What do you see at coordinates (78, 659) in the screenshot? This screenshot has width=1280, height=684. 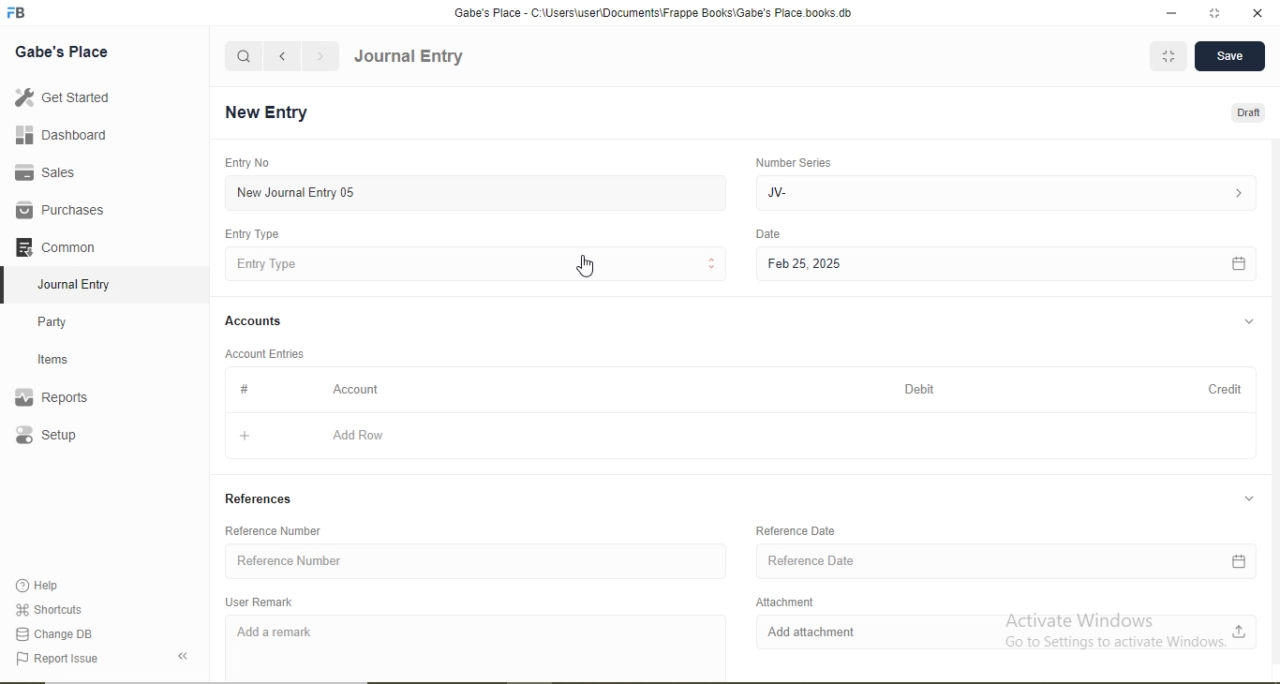 I see `‘Report Issue` at bounding box center [78, 659].